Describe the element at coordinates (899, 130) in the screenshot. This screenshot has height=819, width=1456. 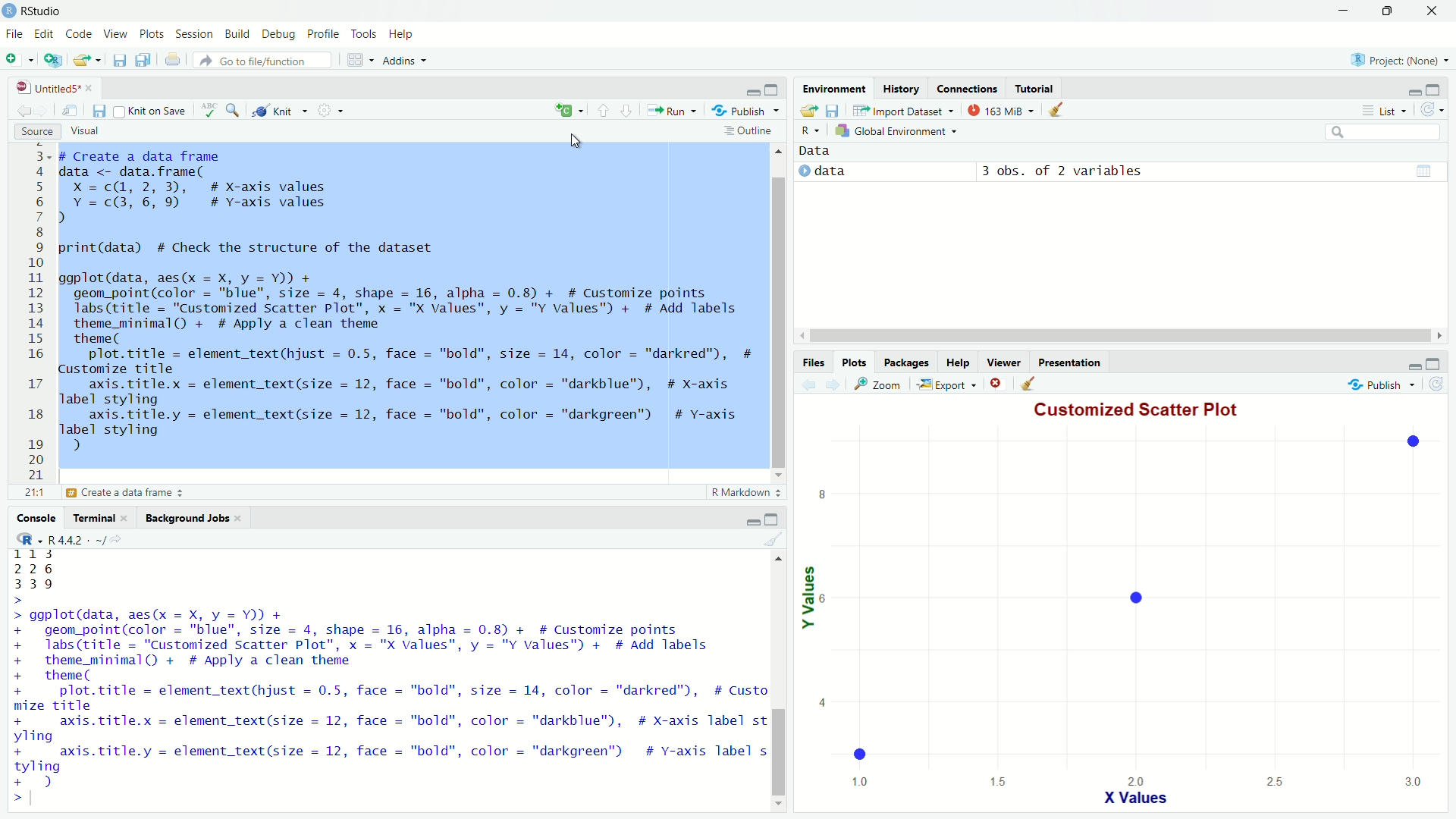
I see `Global Environment` at that location.